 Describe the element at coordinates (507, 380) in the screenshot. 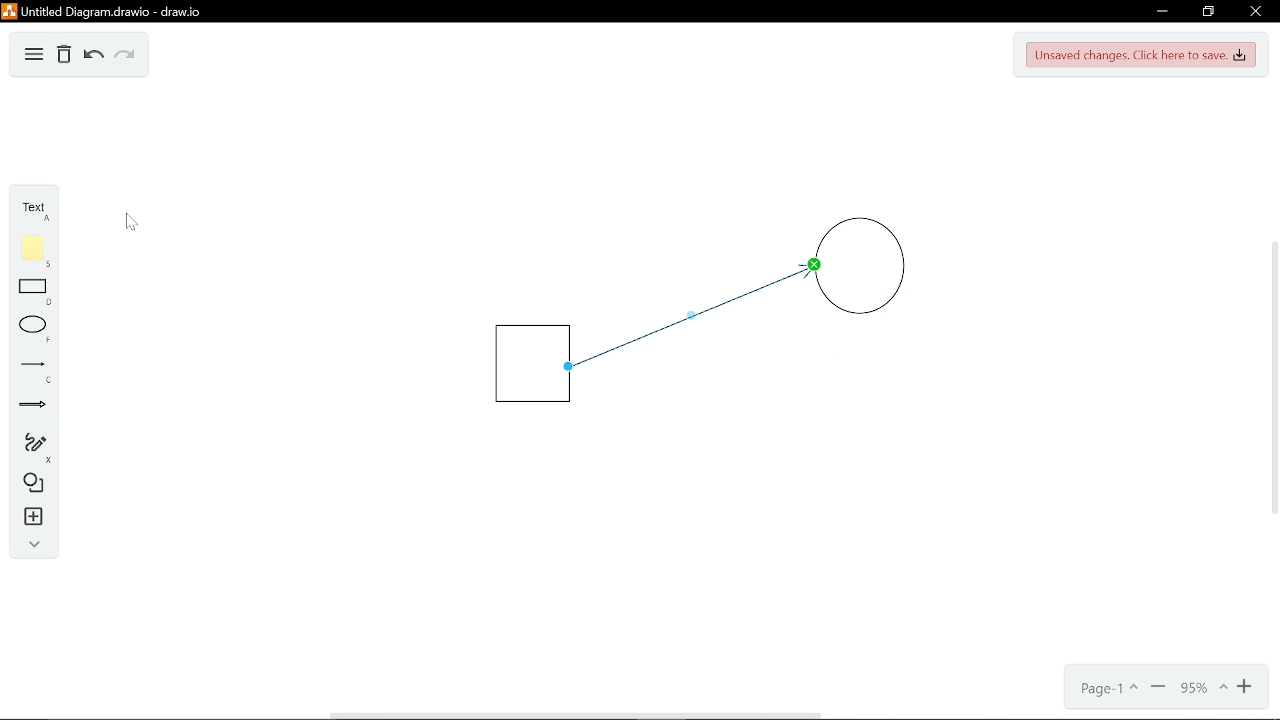

I see `Square` at that location.